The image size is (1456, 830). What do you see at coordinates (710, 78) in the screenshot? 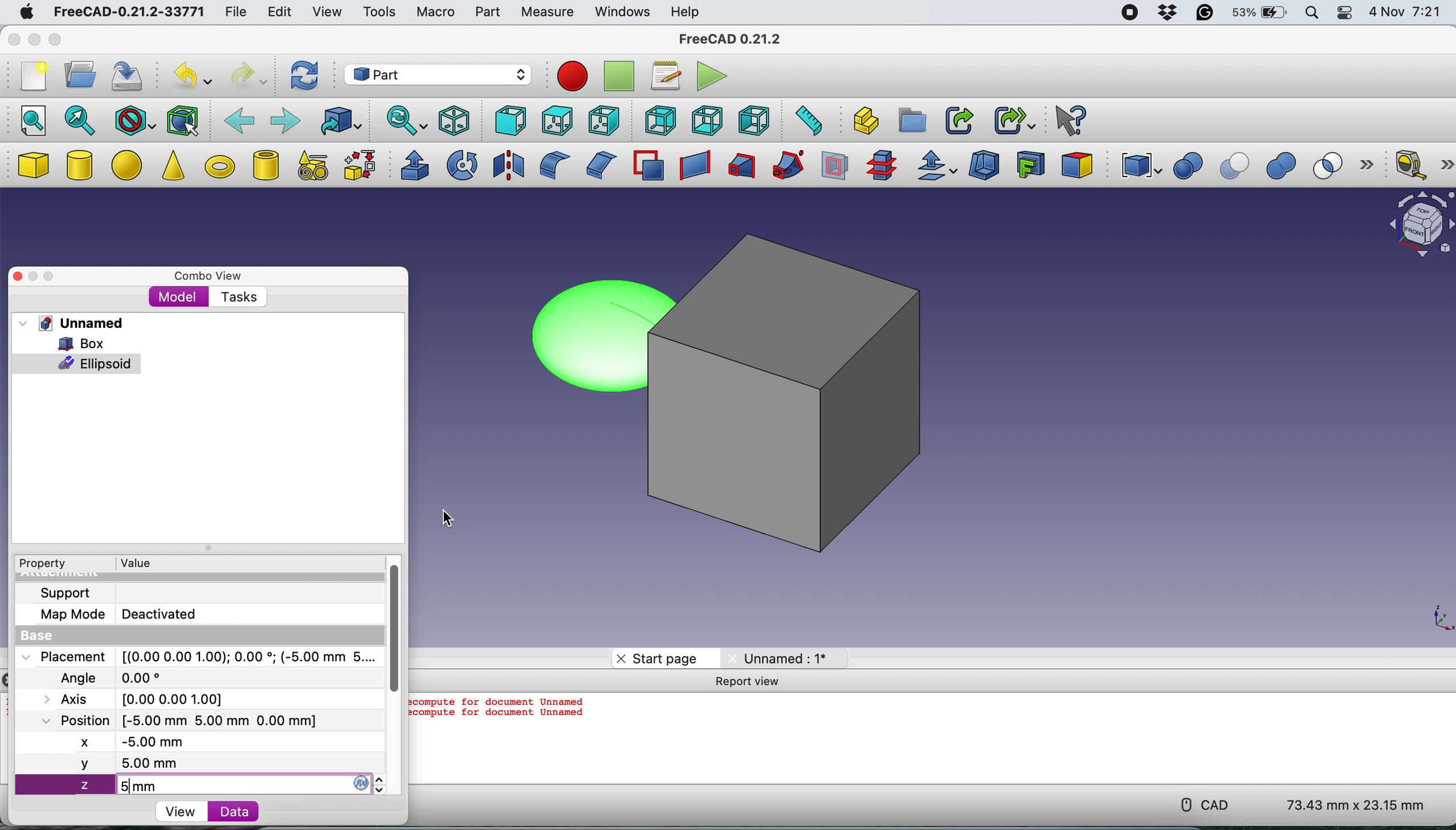
I see `execute macros` at bounding box center [710, 78].